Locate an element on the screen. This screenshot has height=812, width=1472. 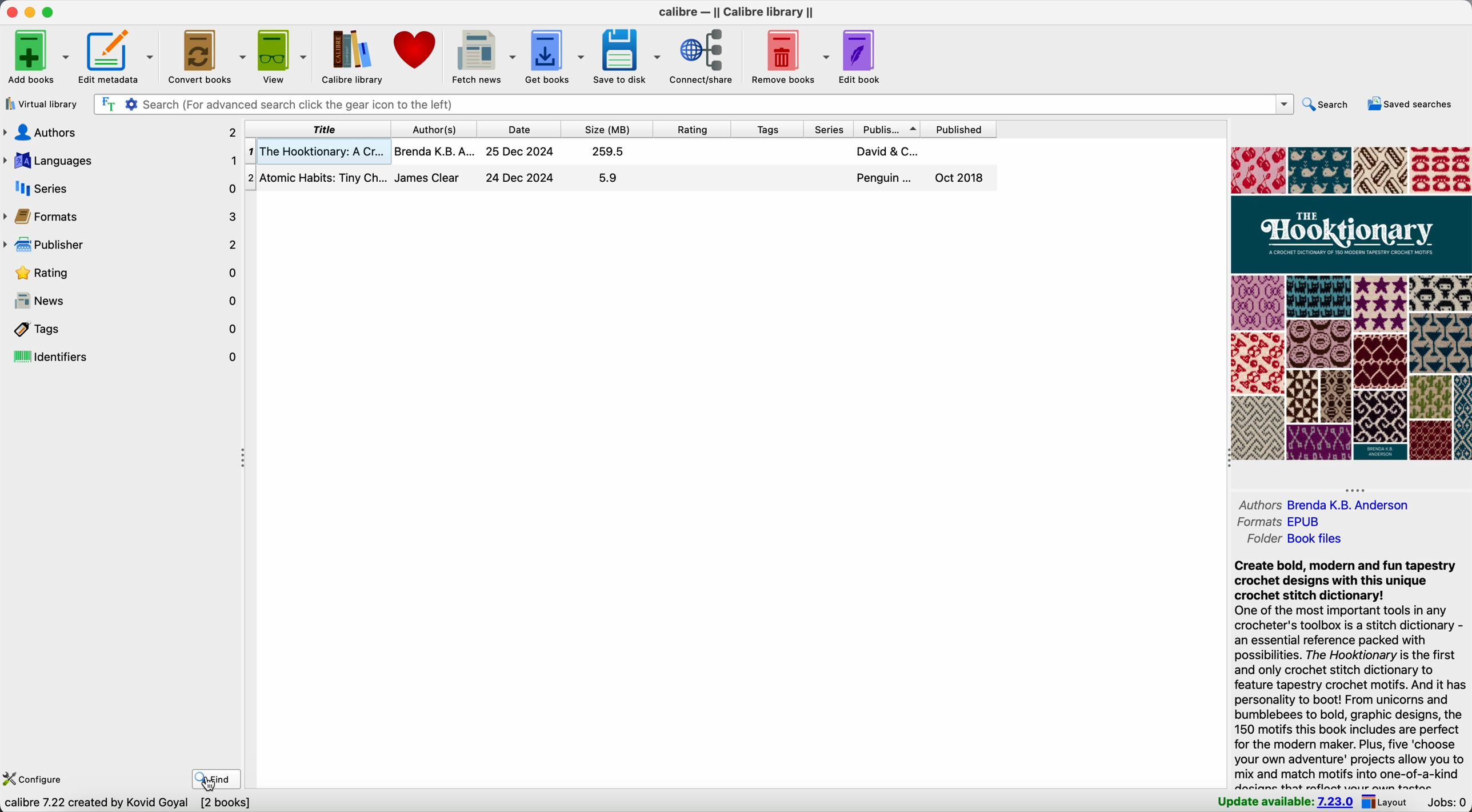
identifiers is located at coordinates (123, 355).